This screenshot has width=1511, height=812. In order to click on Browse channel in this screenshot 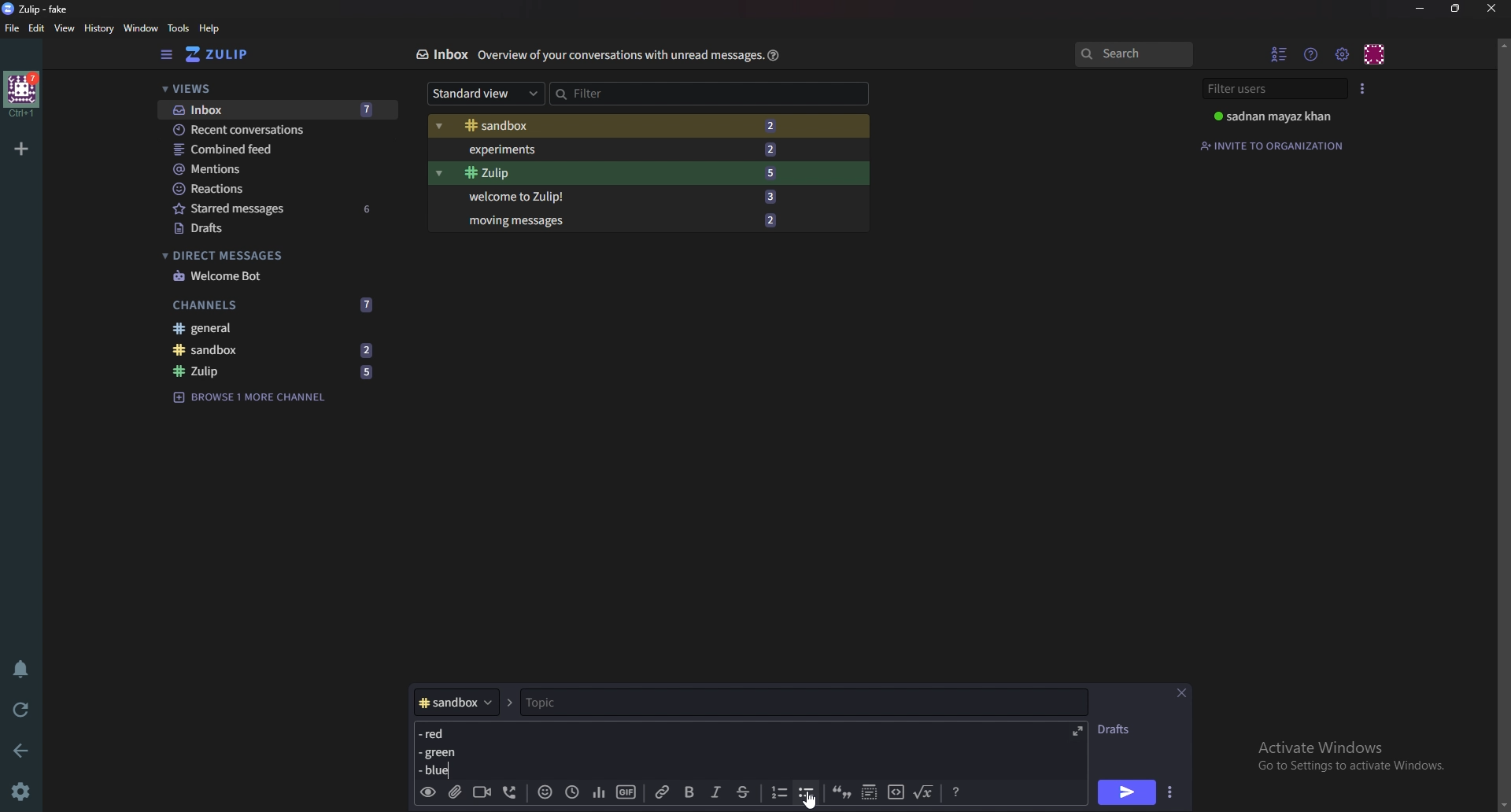, I will do `click(250, 396)`.